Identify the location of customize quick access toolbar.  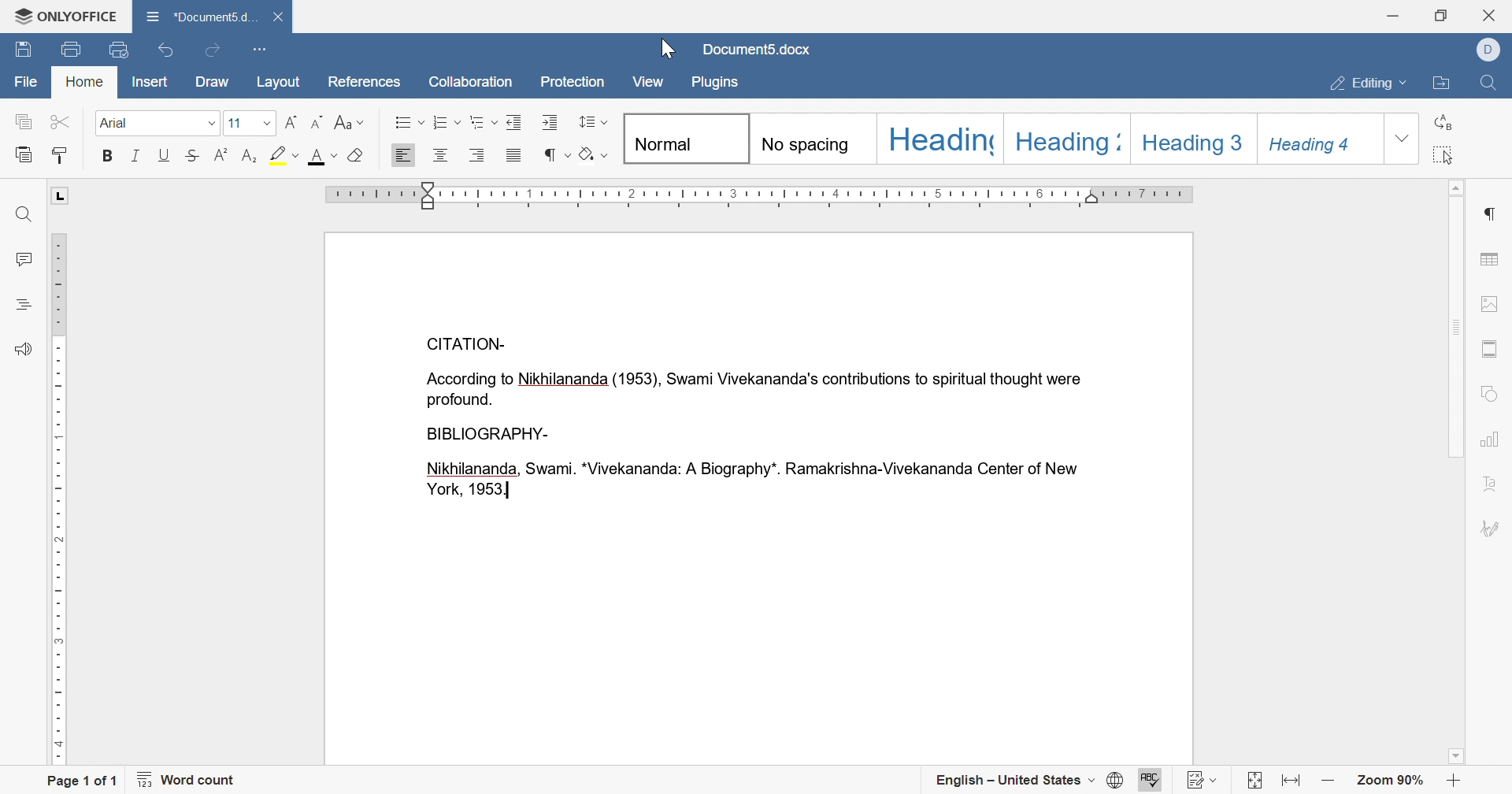
(259, 49).